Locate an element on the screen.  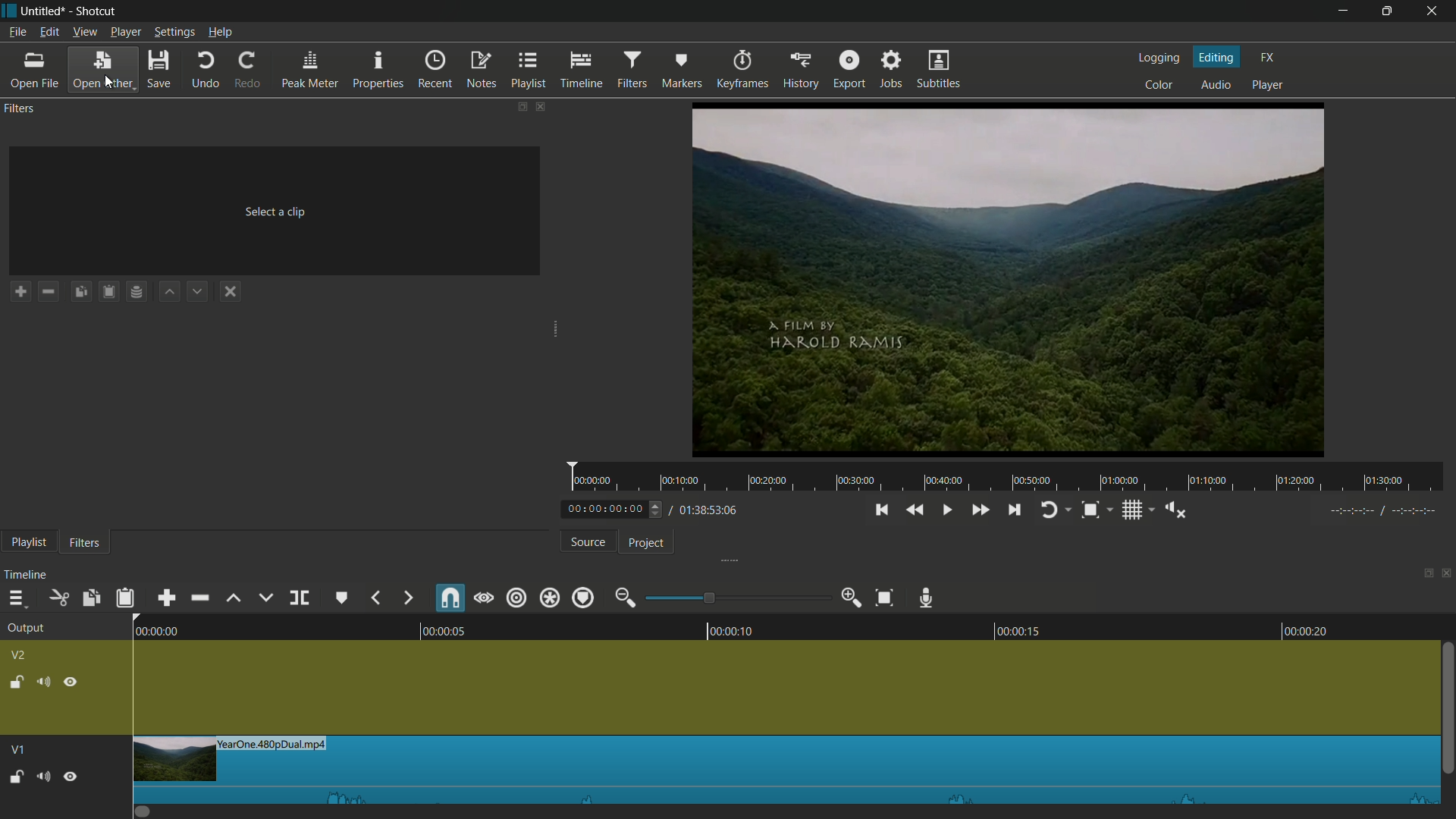
app name is located at coordinates (98, 11).